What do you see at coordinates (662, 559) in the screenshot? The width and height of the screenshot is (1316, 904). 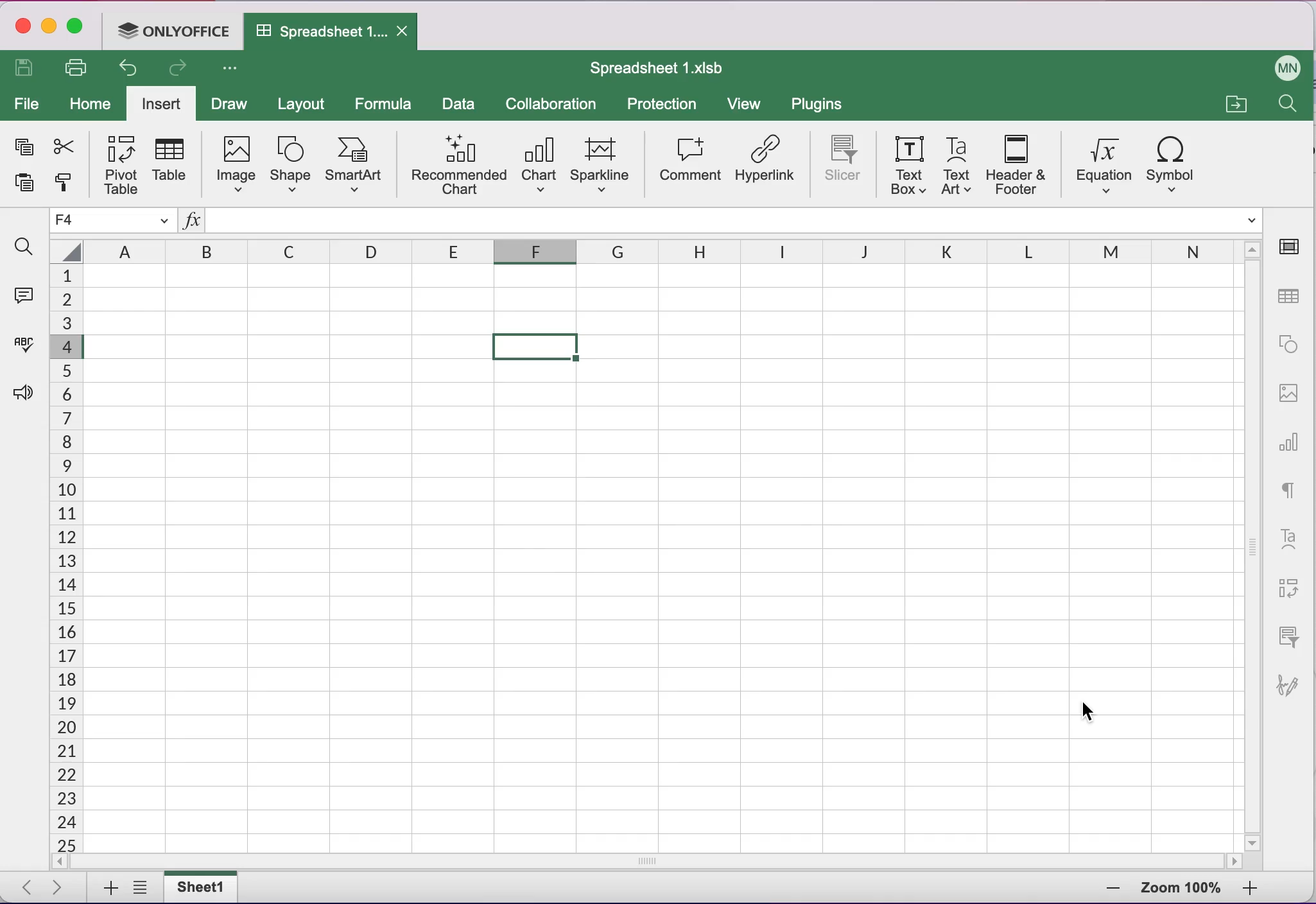 I see `columns canvas` at bounding box center [662, 559].